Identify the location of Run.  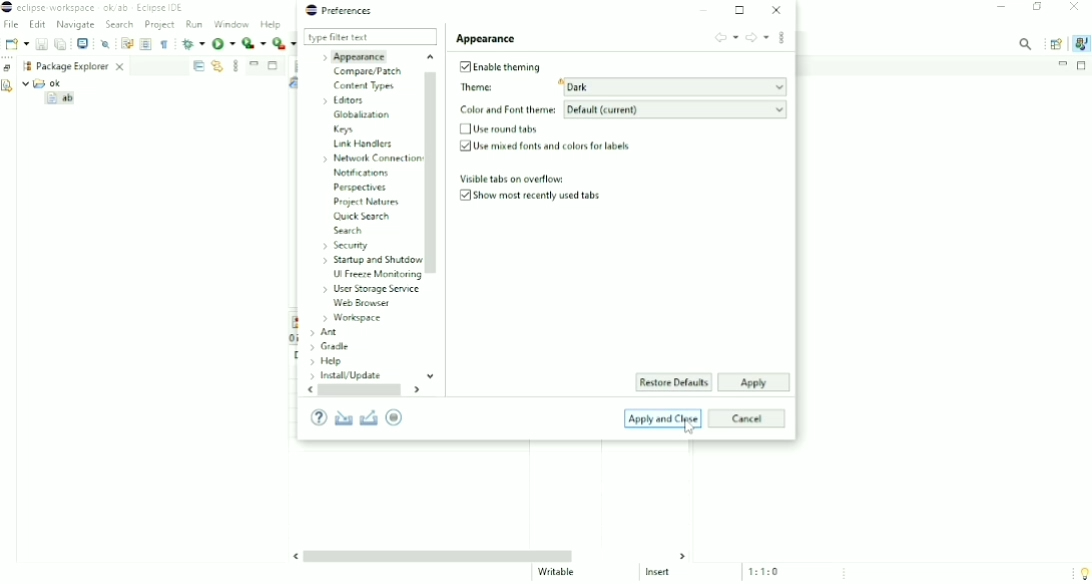
(224, 45).